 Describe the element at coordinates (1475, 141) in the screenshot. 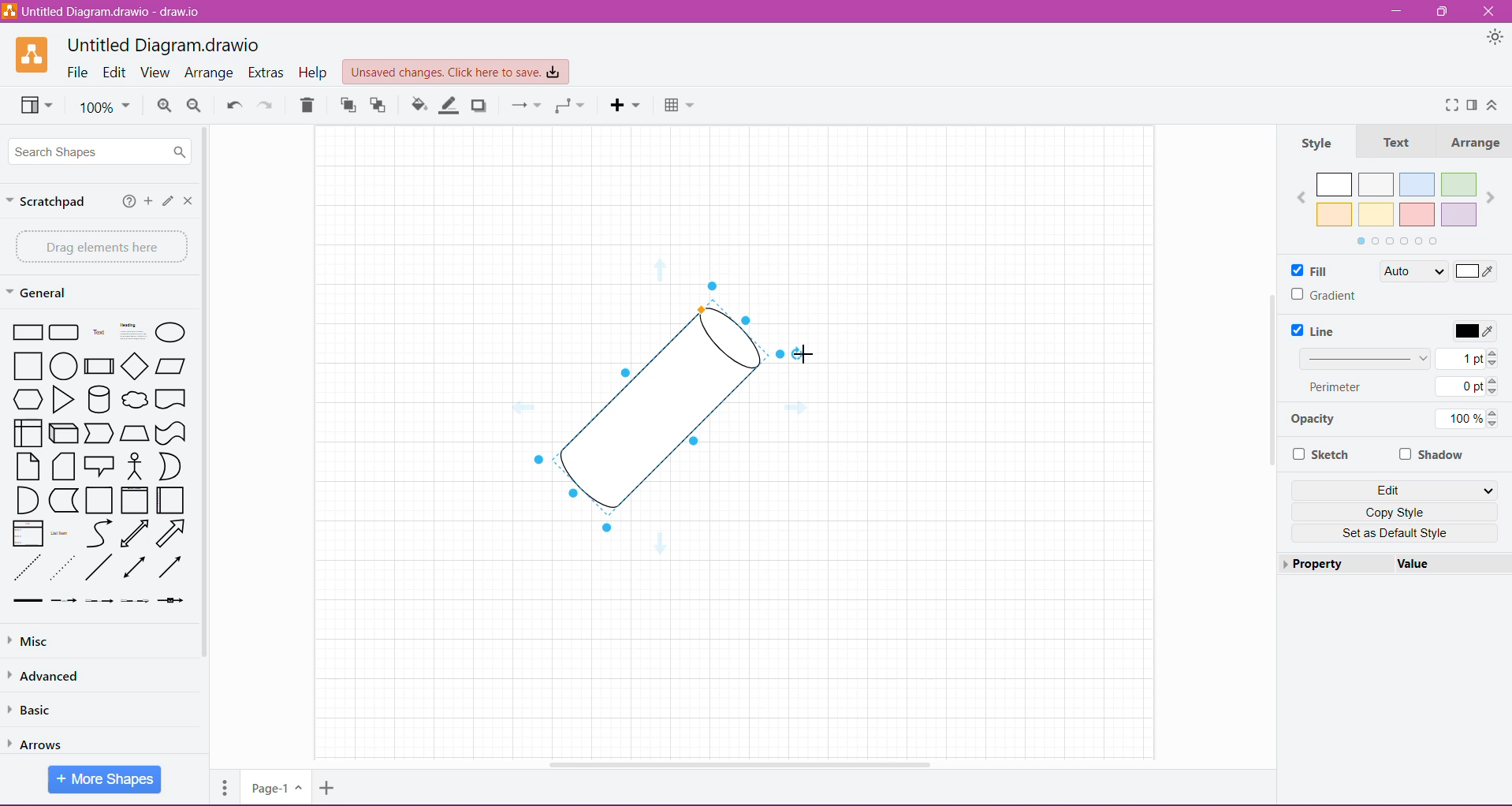

I see `Arrange` at that location.